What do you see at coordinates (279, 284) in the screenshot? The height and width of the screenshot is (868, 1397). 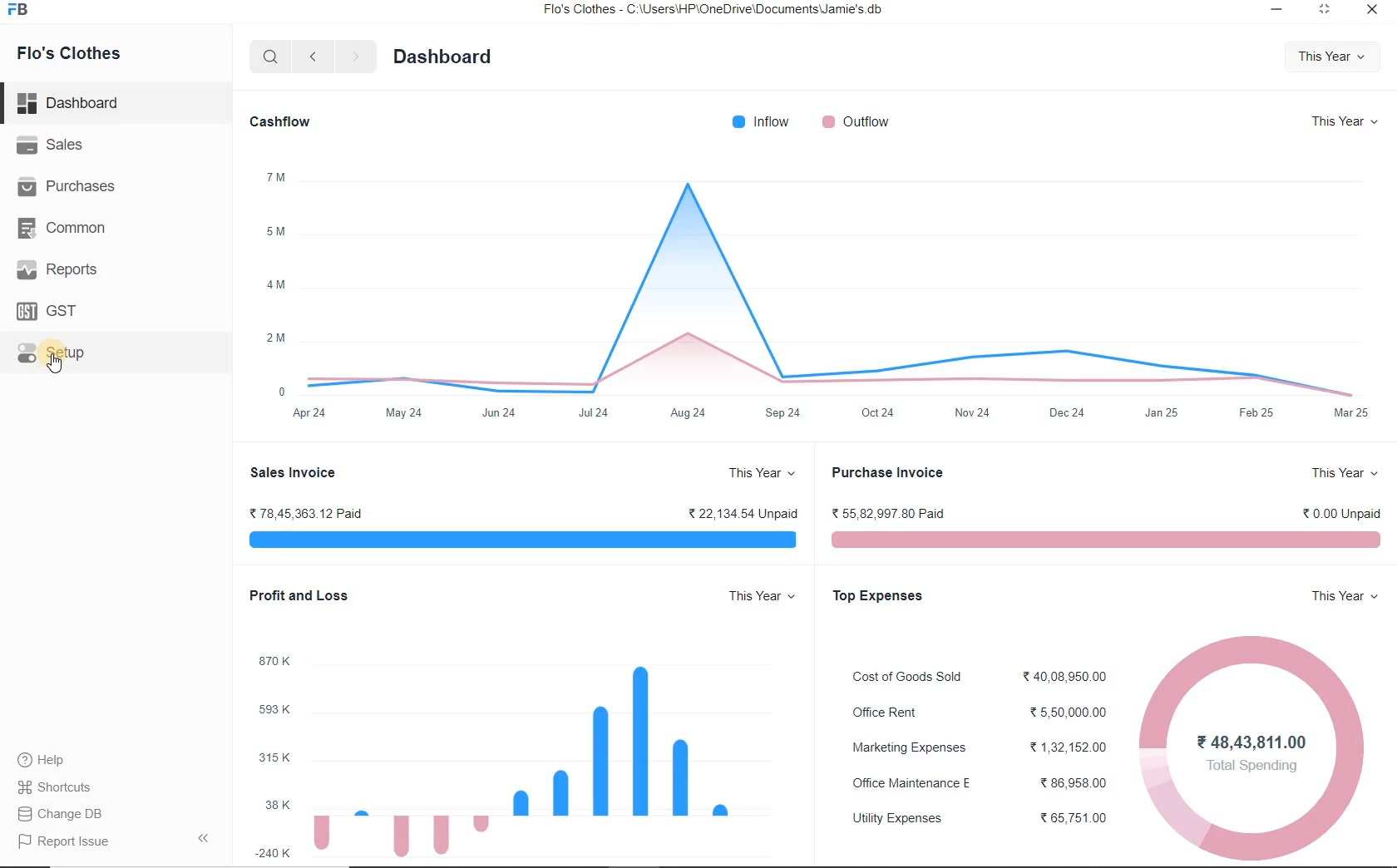 I see `4 M` at bounding box center [279, 284].